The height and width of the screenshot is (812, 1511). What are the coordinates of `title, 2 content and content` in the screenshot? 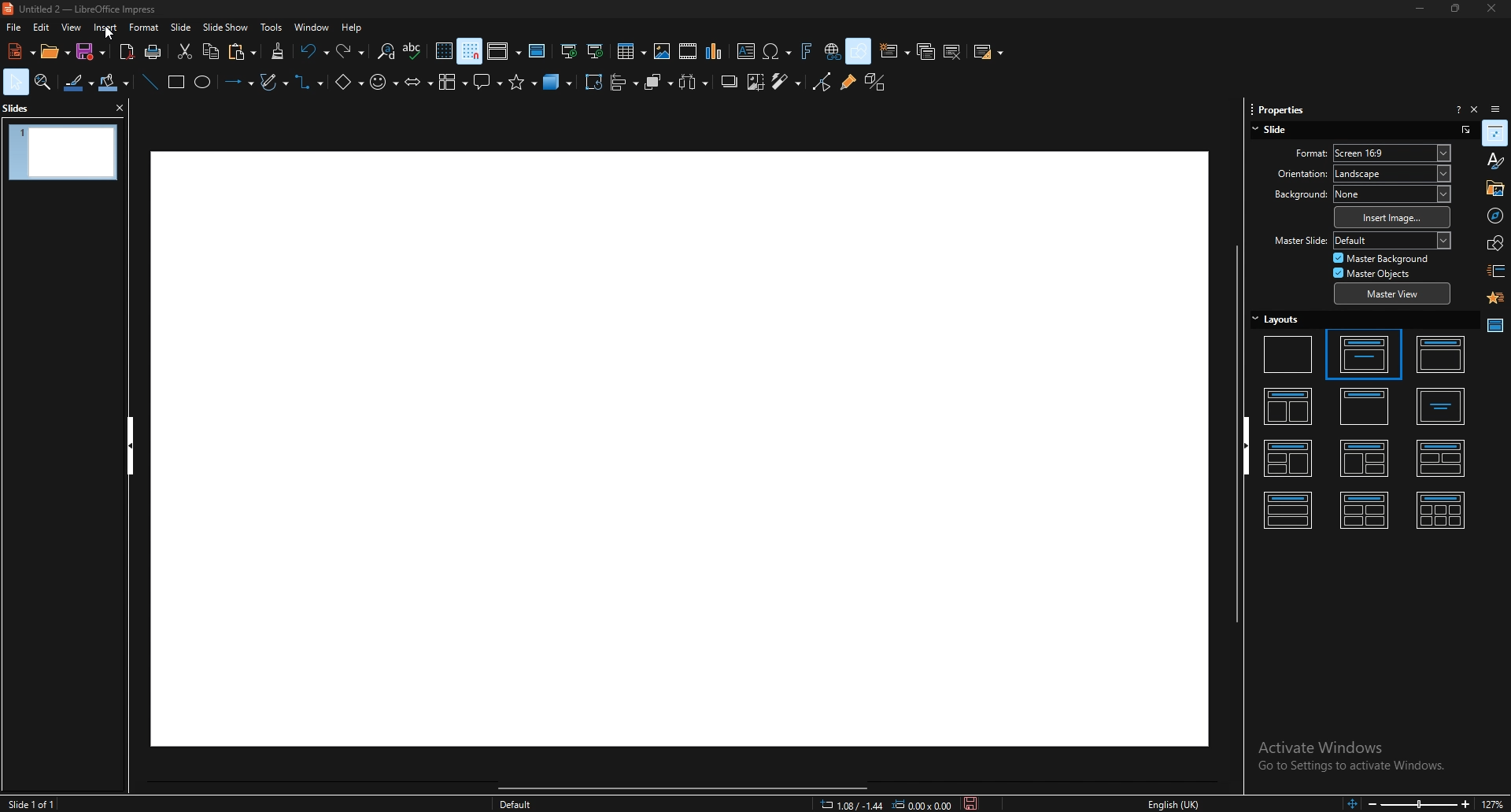 It's located at (1289, 457).